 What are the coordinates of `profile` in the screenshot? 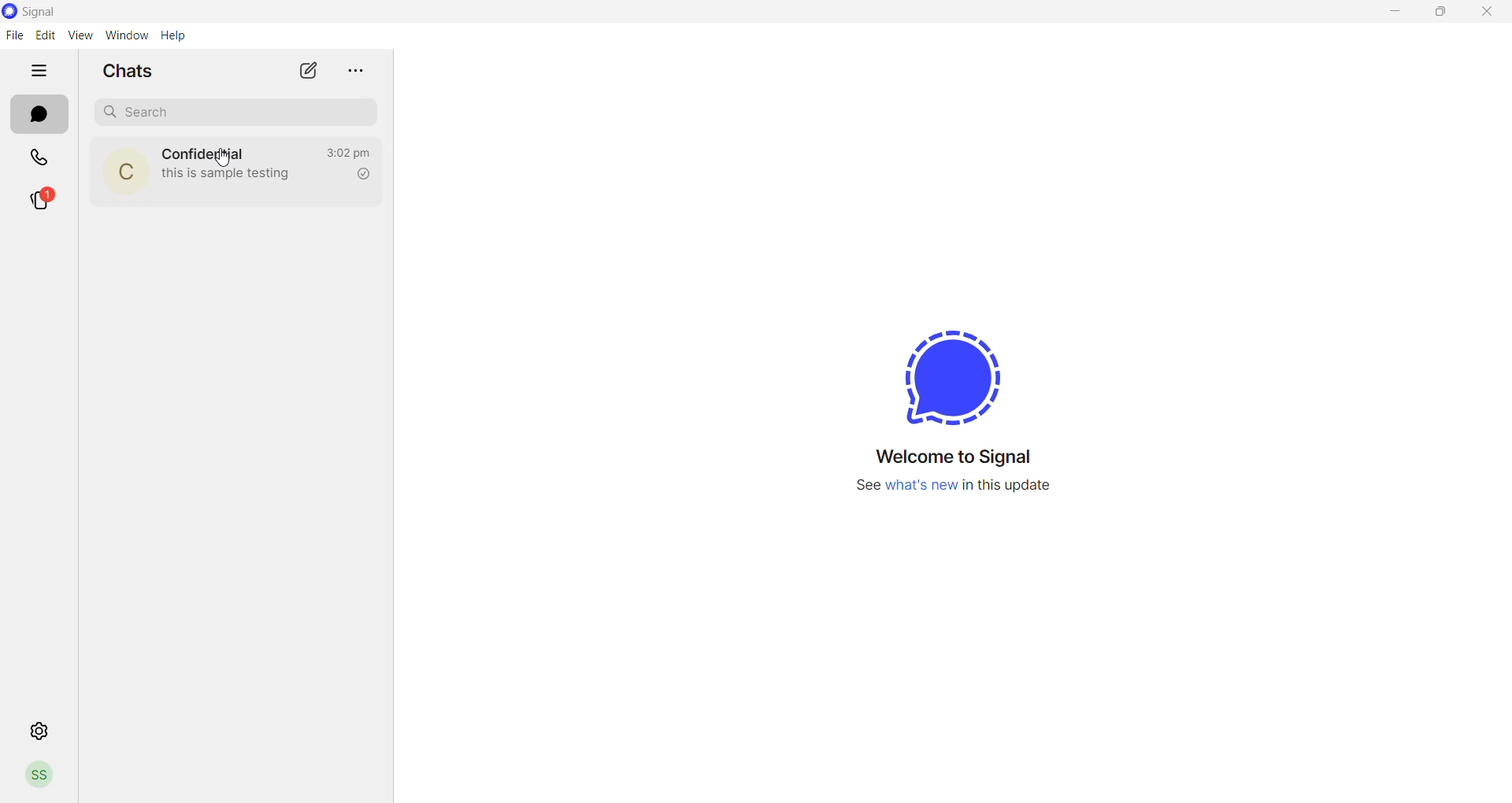 It's located at (41, 778).